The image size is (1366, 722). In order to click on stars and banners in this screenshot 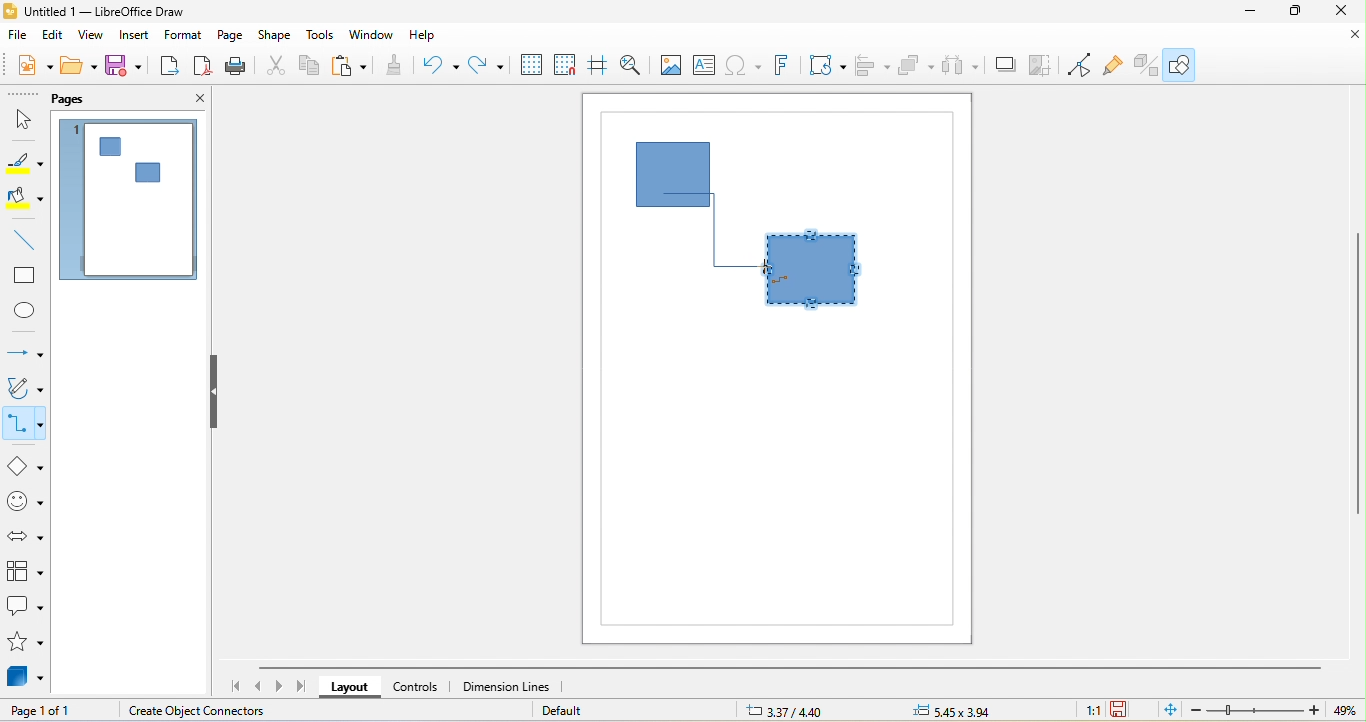, I will do `click(27, 642)`.